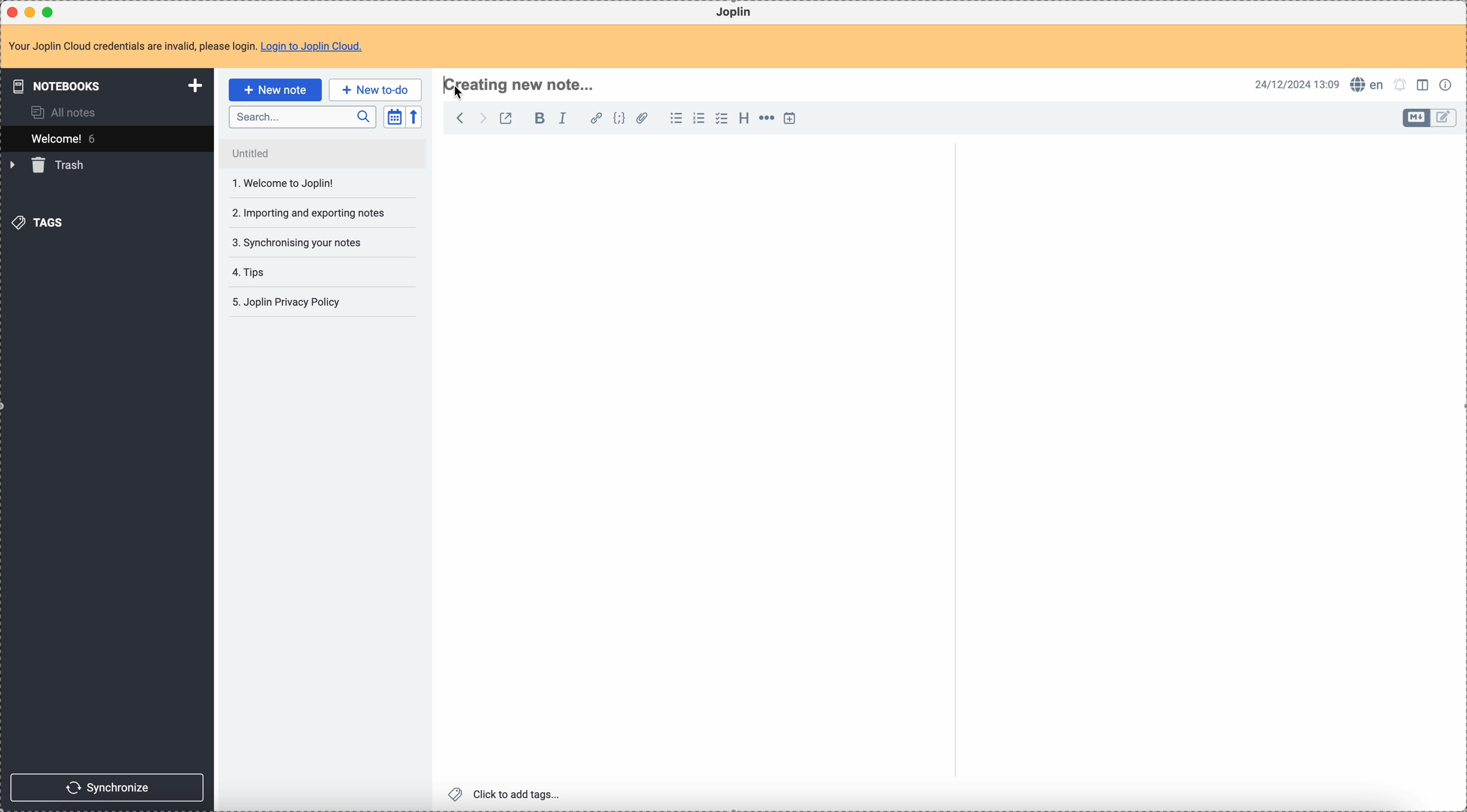 Image resolution: width=1467 pixels, height=812 pixels. What do you see at coordinates (481, 118) in the screenshot?
I see `foward` at bounding box center [481, 118].